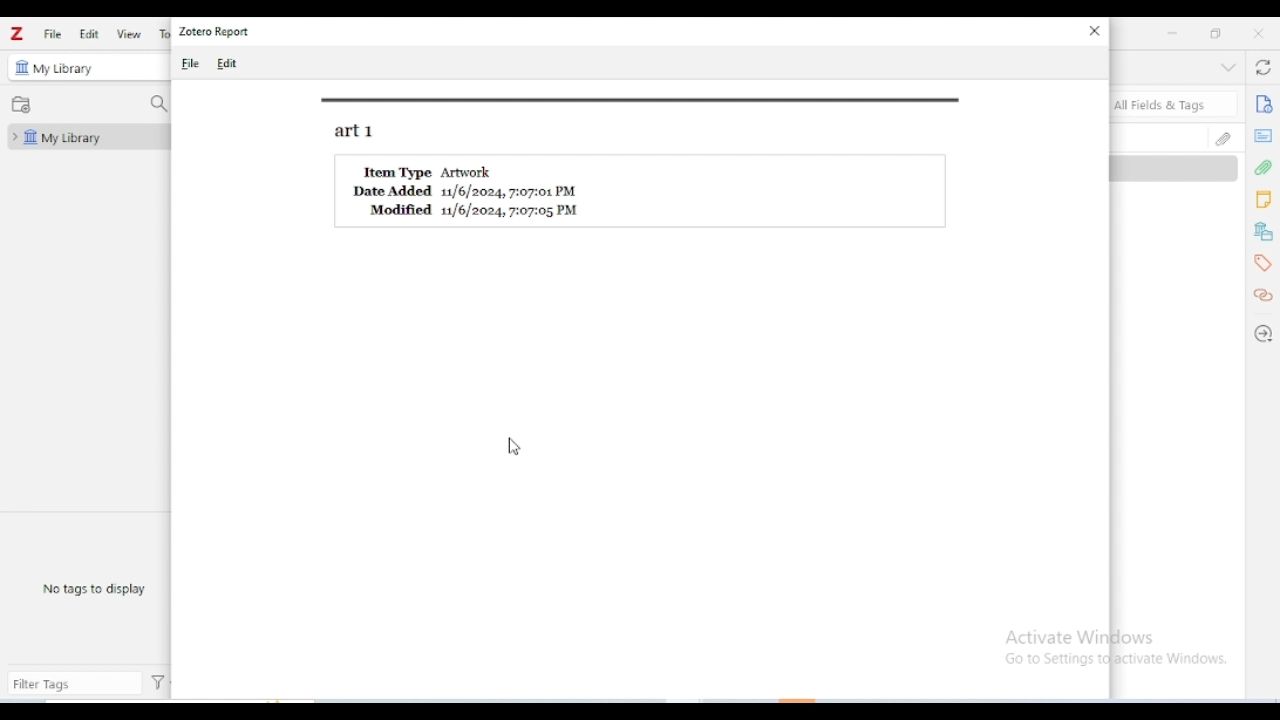 Image resolution: width=1280 pixels, height=720 pixels. I want to click on file, so click(190, 62).